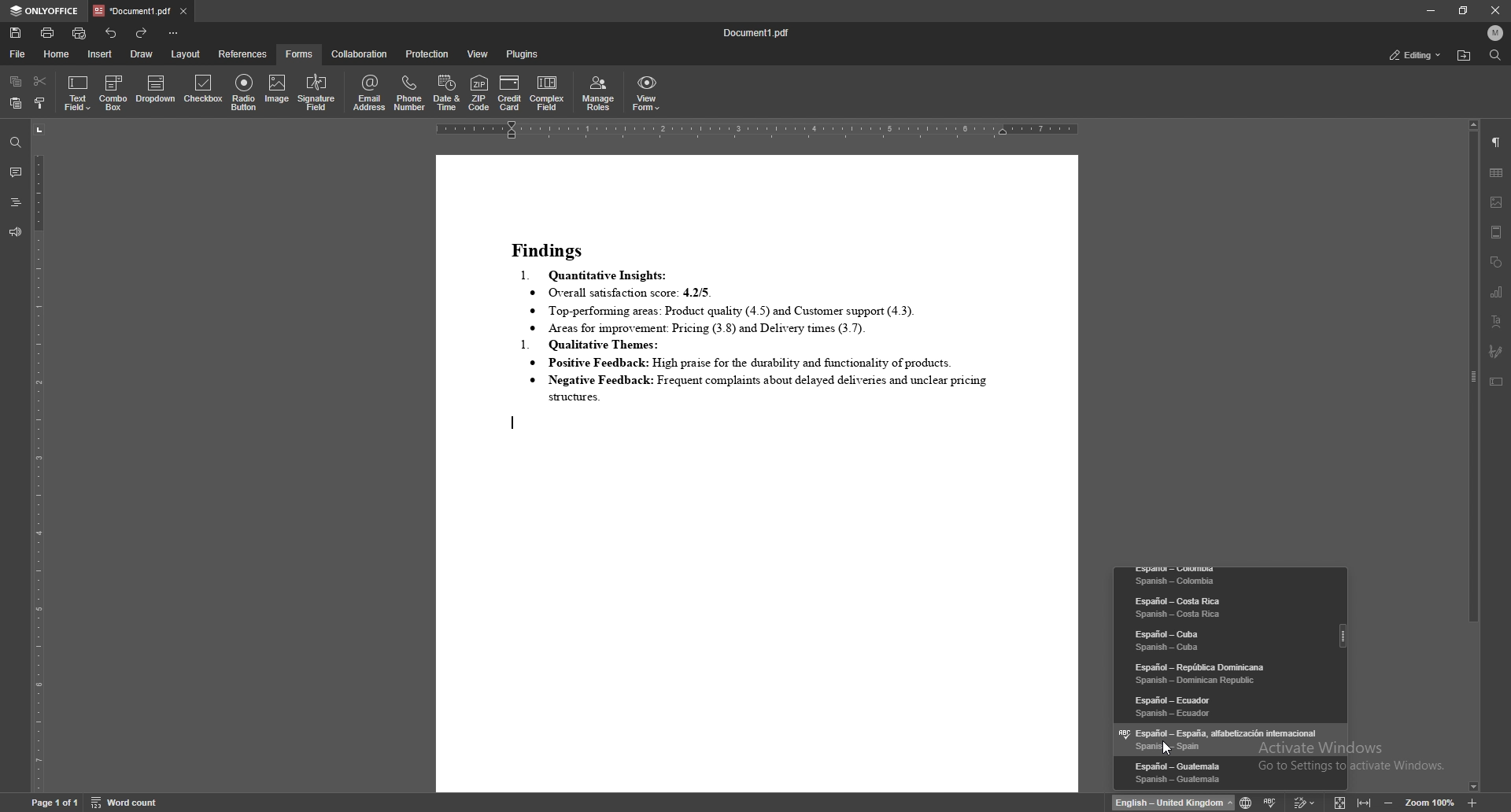 The height and width of the screenshot is (812, 1511). Describe the element at coordinates (1464, 56) in the screenshot. I see `locate file` at that location.